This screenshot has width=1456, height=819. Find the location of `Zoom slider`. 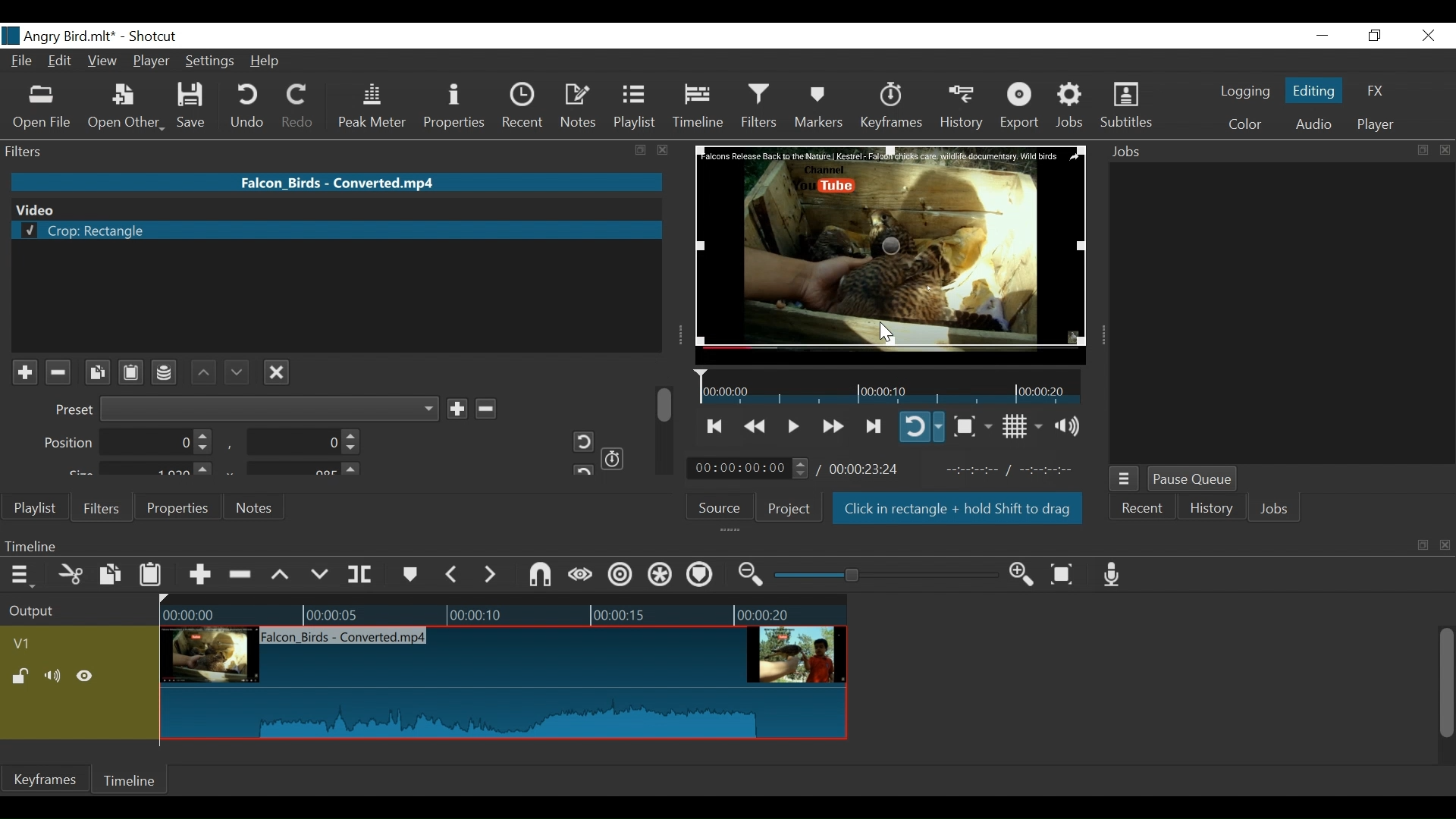

Zoom slider is located at coordinates (889, 575).